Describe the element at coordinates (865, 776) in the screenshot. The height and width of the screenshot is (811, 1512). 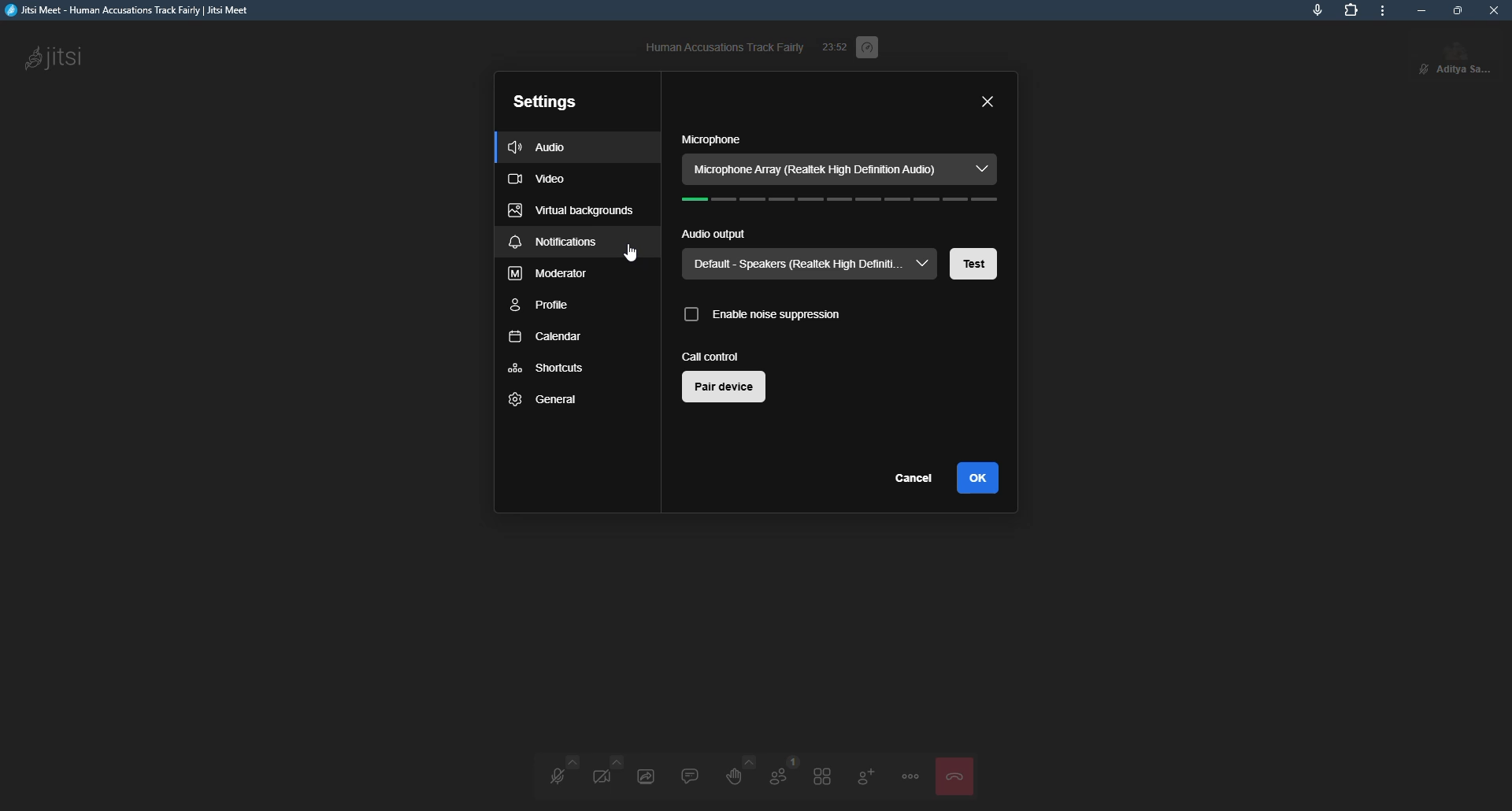
I see `invite people` at that location.